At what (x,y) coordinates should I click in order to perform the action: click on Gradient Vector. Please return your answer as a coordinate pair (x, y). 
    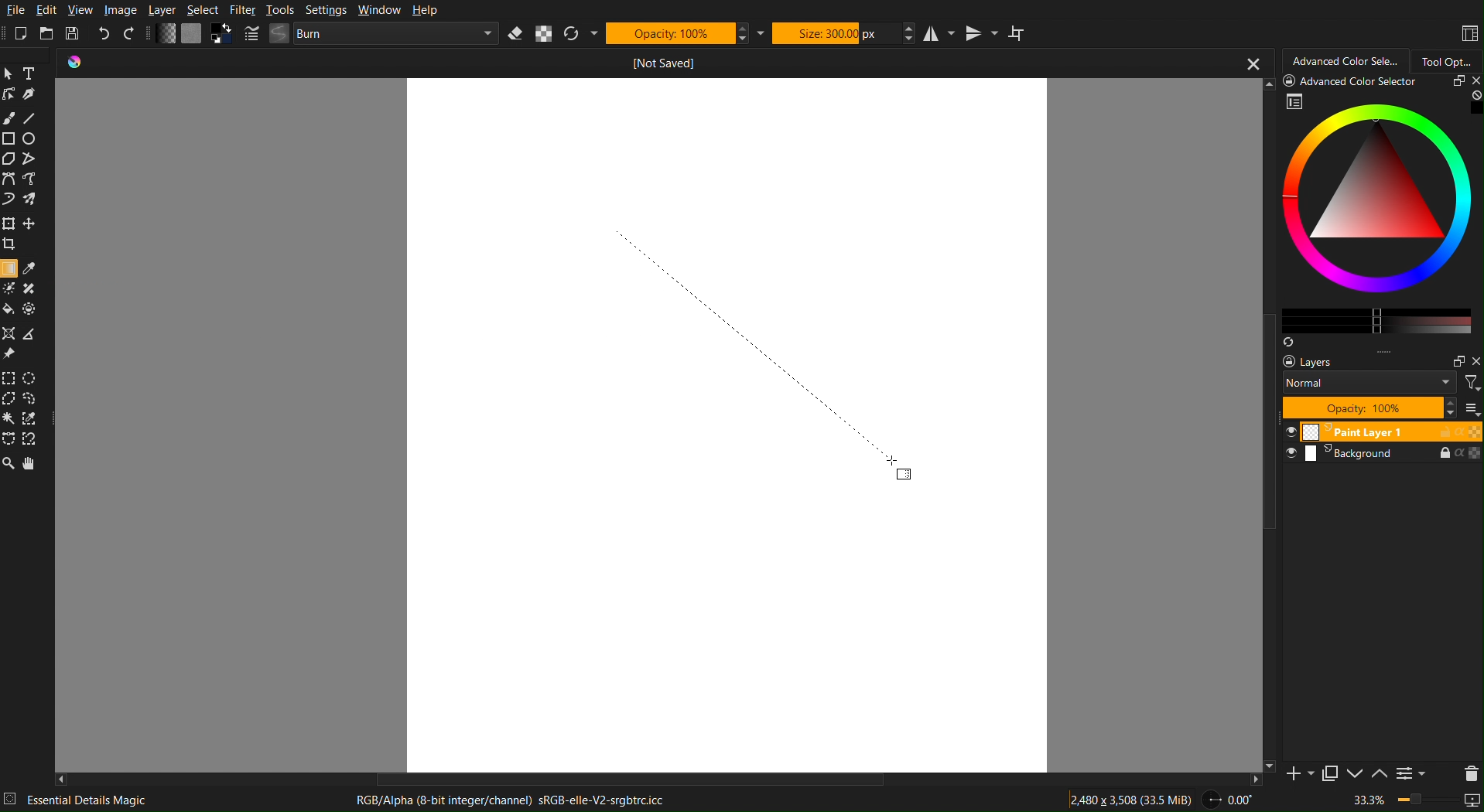
    Looking at the image, I should click on (754, 346).